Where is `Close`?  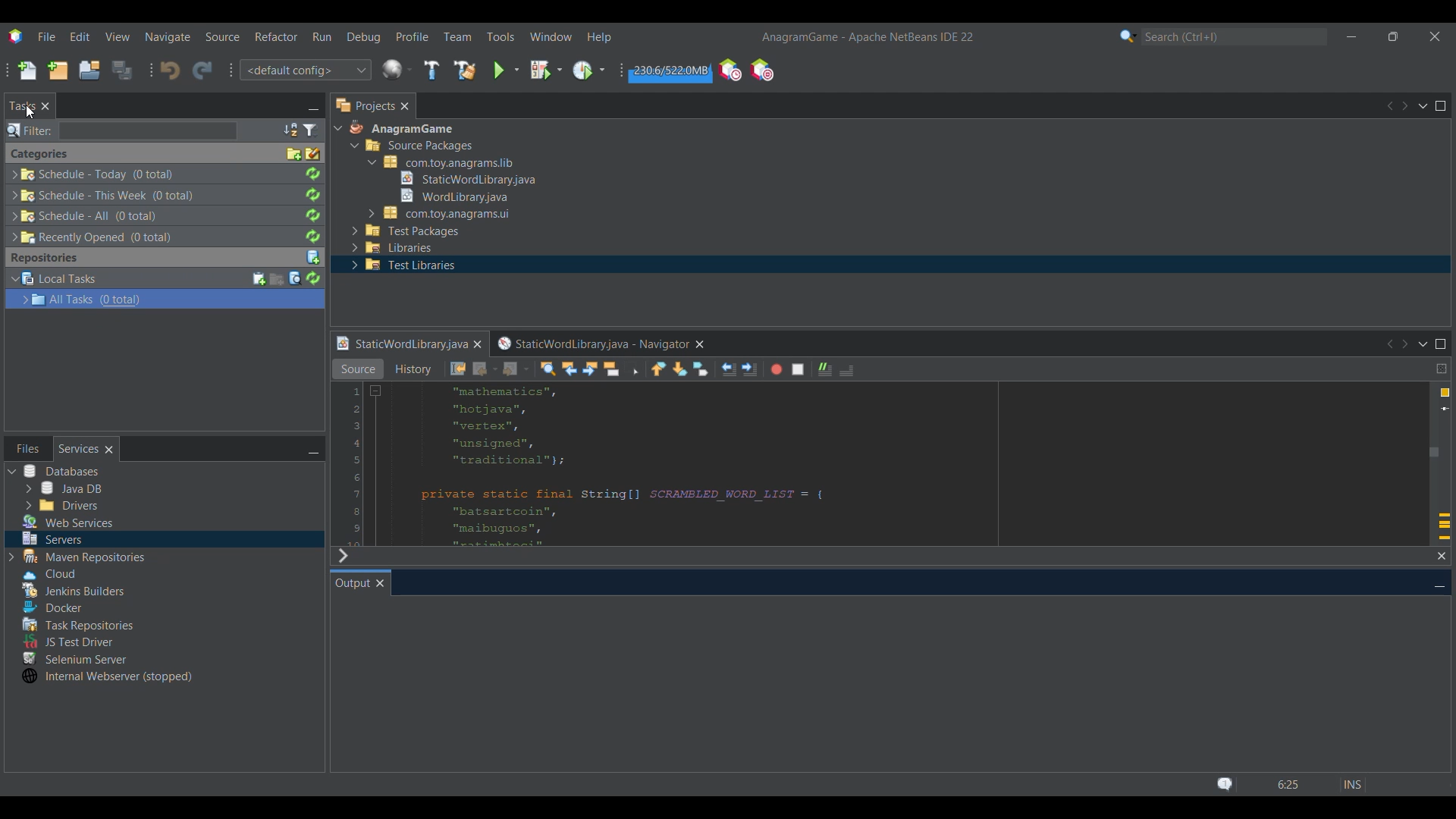 Close is located at coordinates (380, 583).